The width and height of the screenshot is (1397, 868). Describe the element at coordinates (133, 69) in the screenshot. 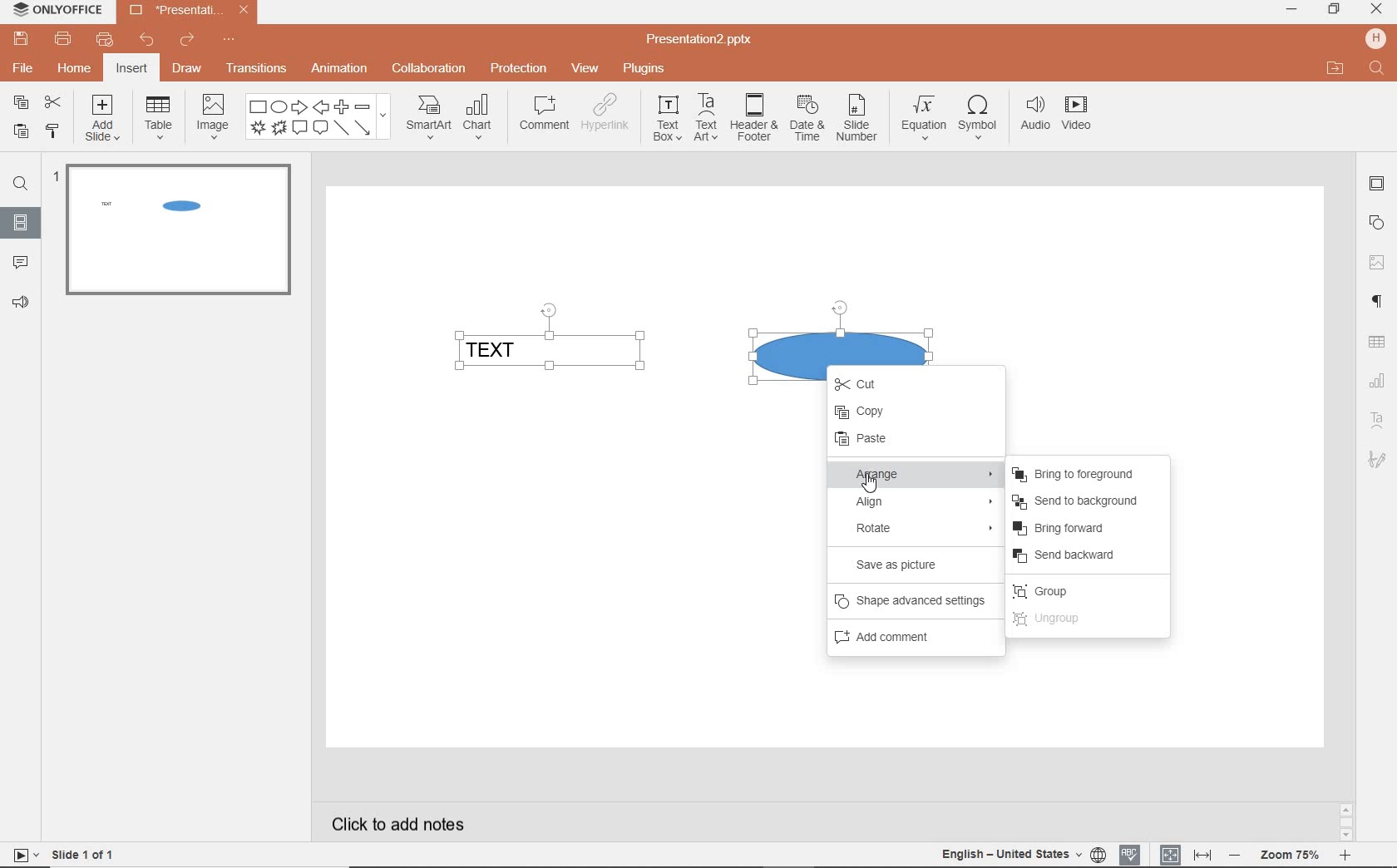

I see `insert` at that location.